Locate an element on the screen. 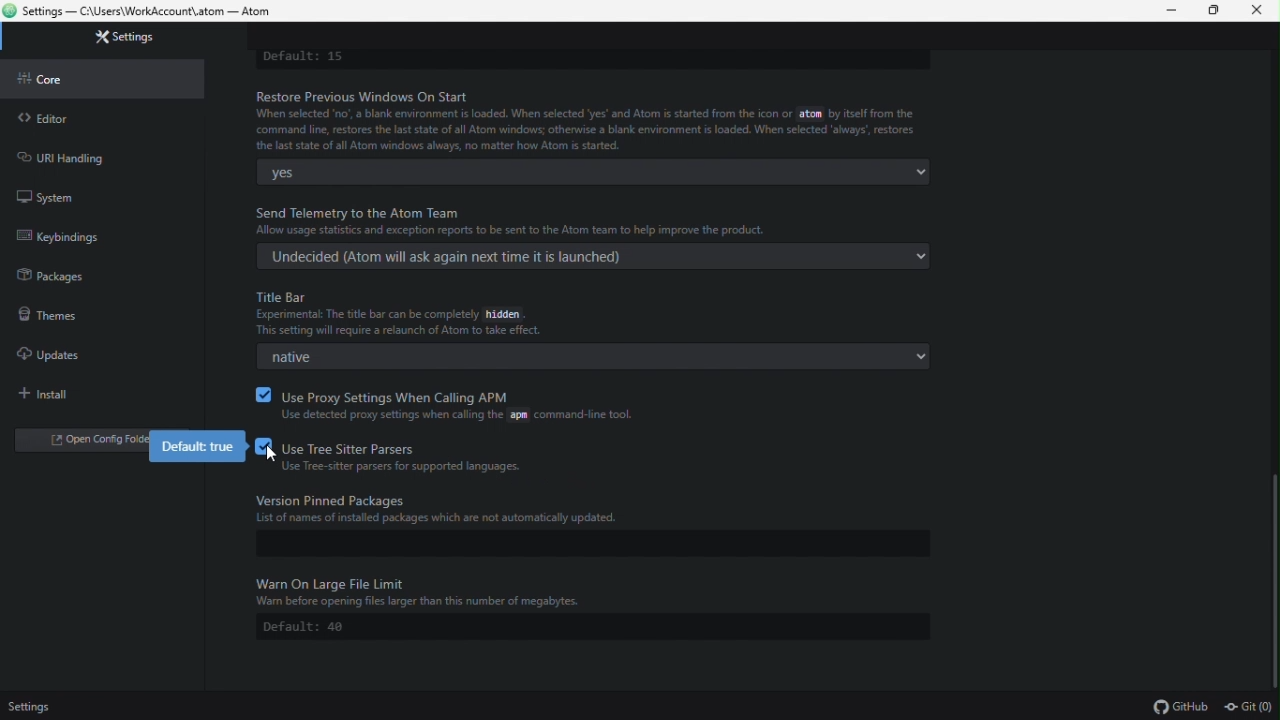 The height and width of the screenshot is (720, 1280). undecided is located at coordinates (593, 256).